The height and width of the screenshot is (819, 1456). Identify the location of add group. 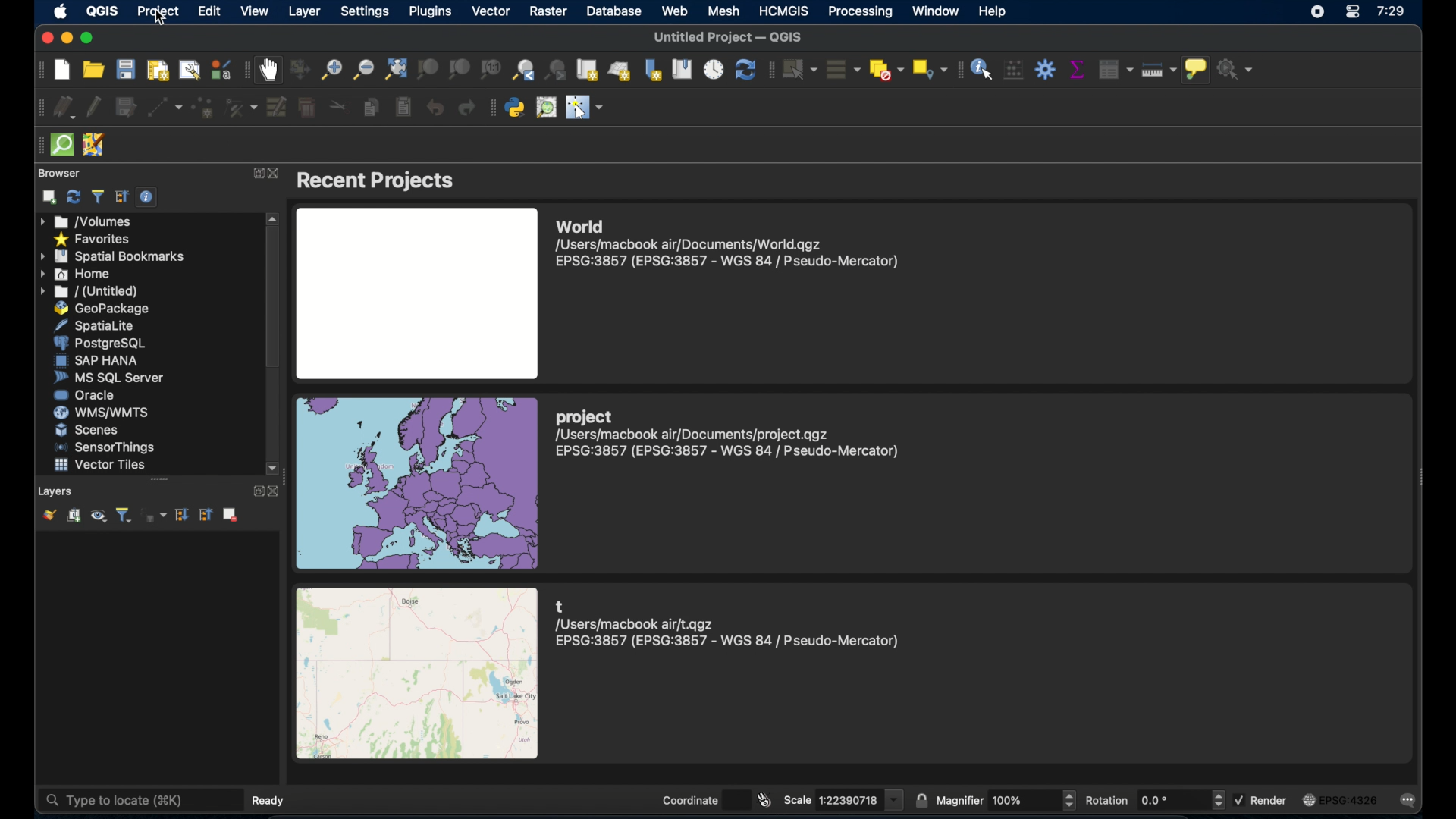
(74, 516).